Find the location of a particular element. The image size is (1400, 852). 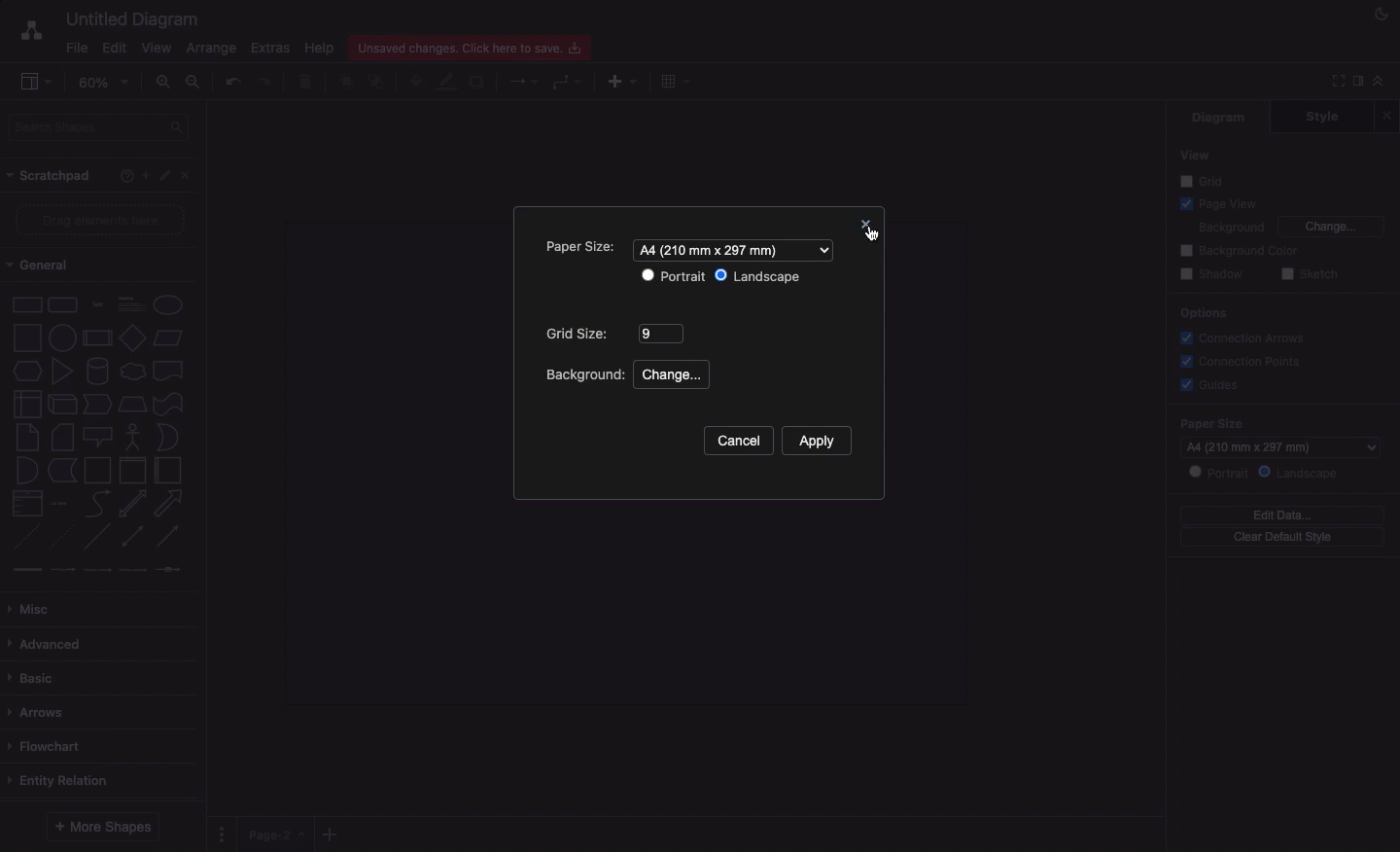

Duplicate is located at coordinates (476, 84).